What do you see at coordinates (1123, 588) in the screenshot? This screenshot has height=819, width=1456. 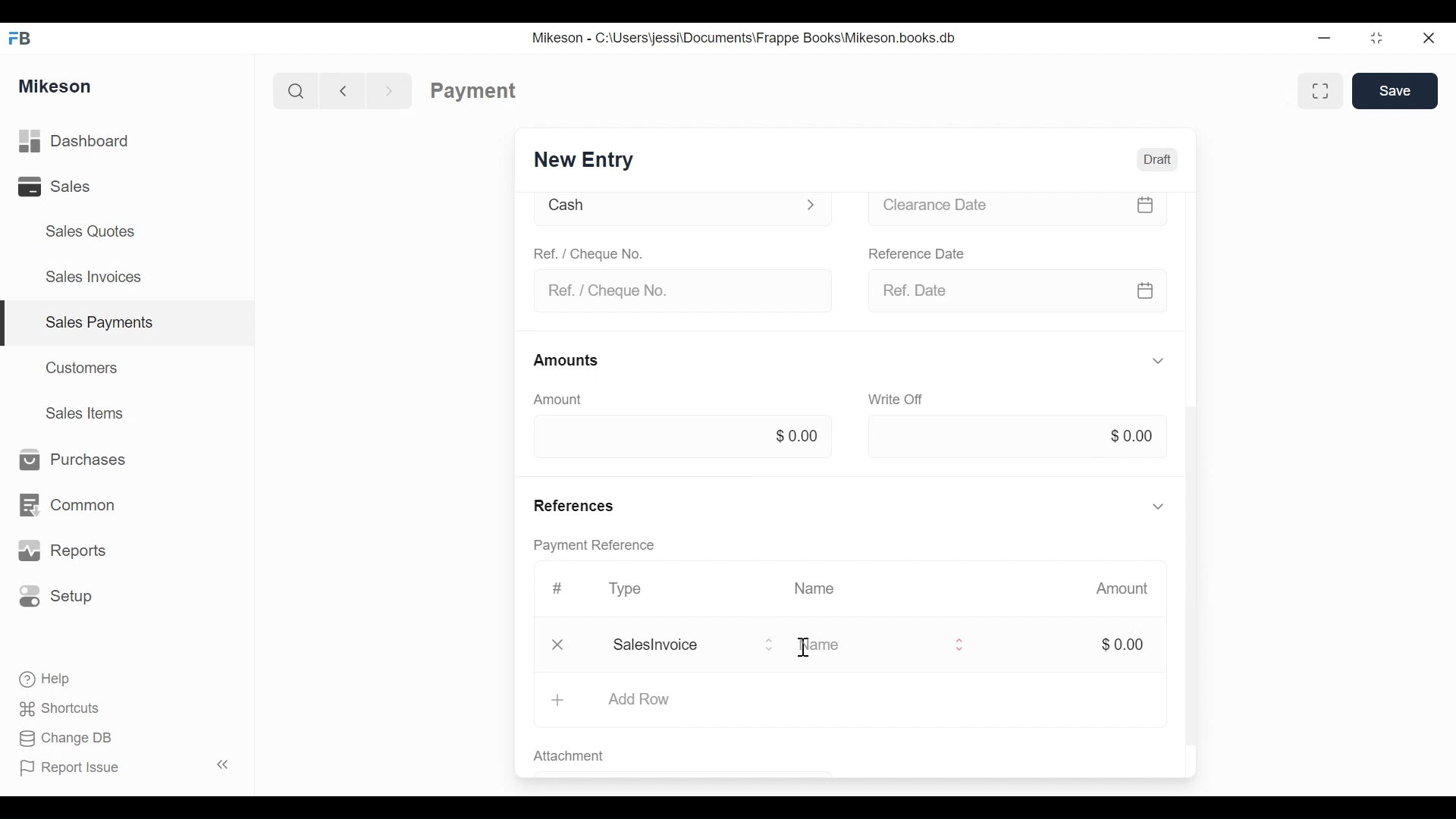 I see `Amount` at bounding box center [1123, 588].